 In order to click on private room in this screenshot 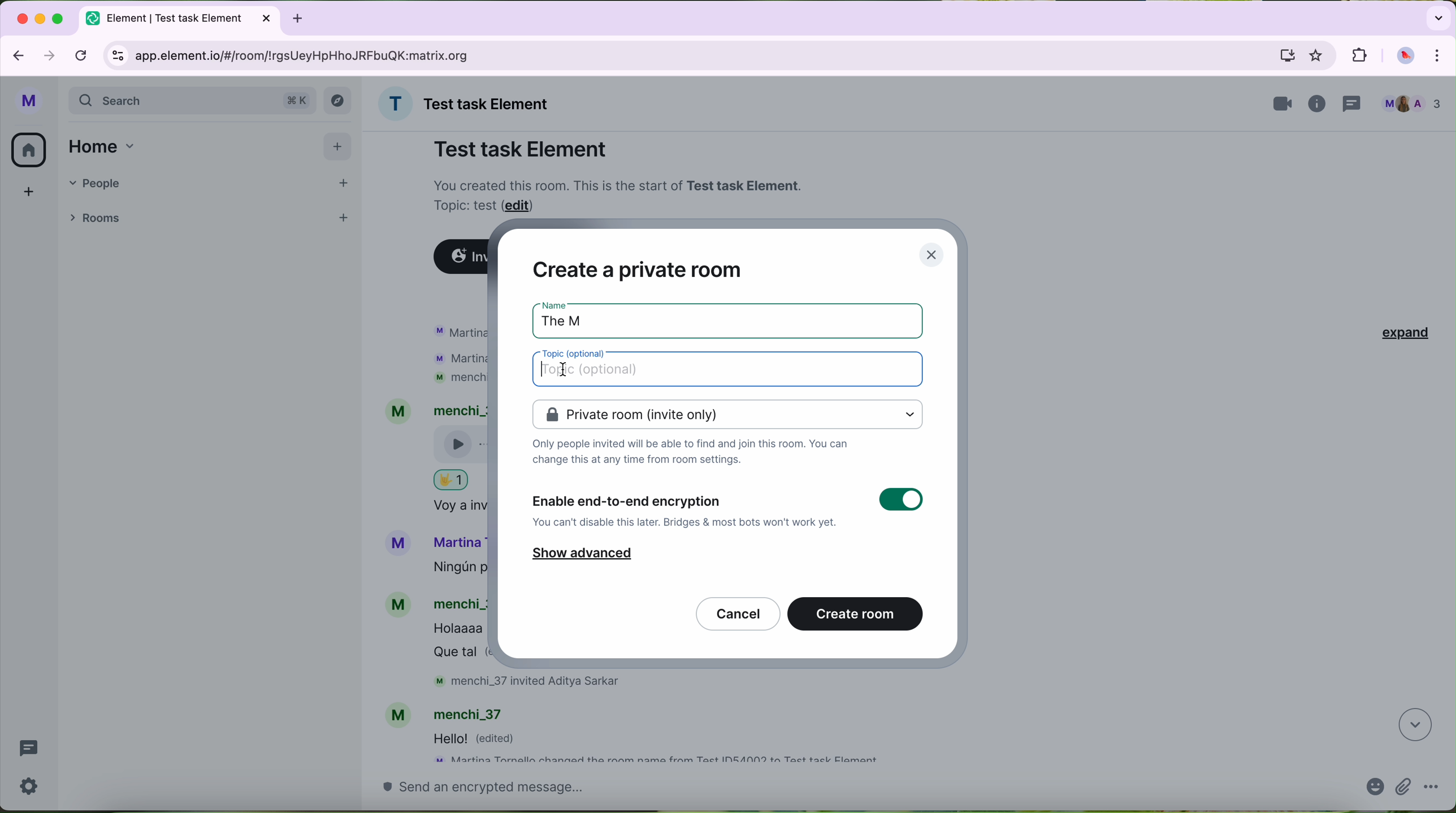, I will do `click(727, 414)`.